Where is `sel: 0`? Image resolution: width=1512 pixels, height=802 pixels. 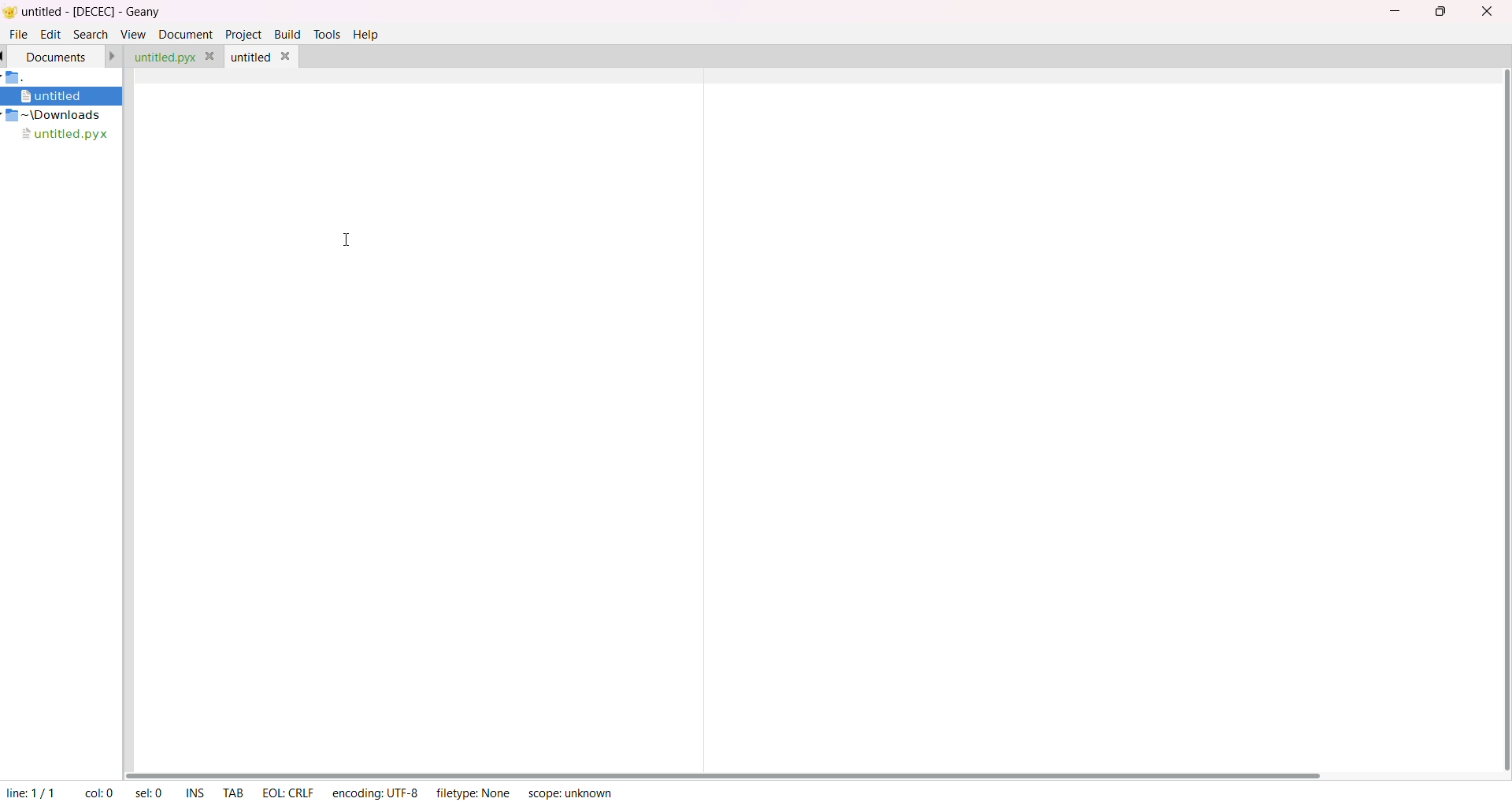
sel: 0 is located at coordinates (146, 793).